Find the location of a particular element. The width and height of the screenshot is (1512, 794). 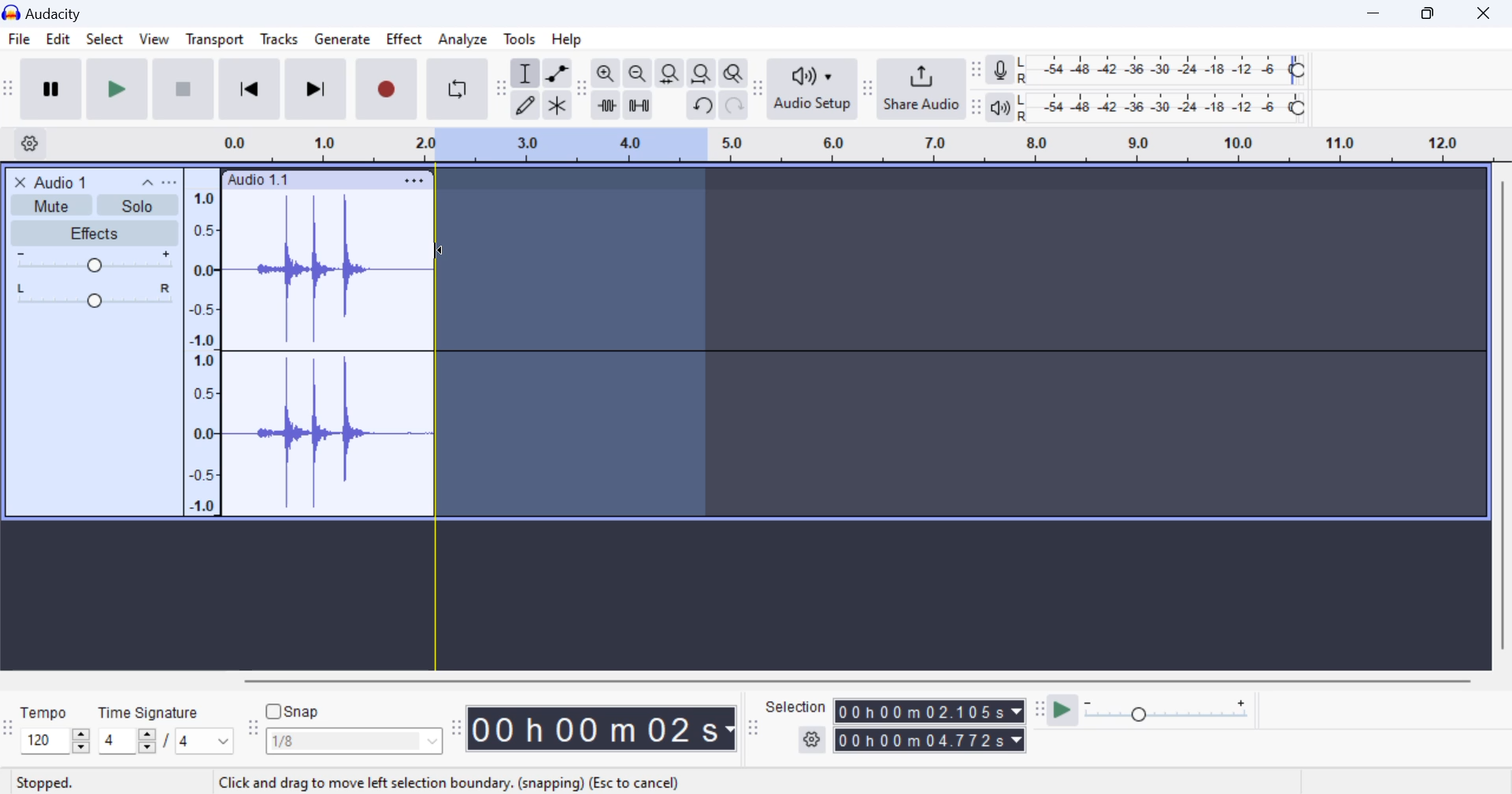

Enable Looping is located at coordinates (458, 89).